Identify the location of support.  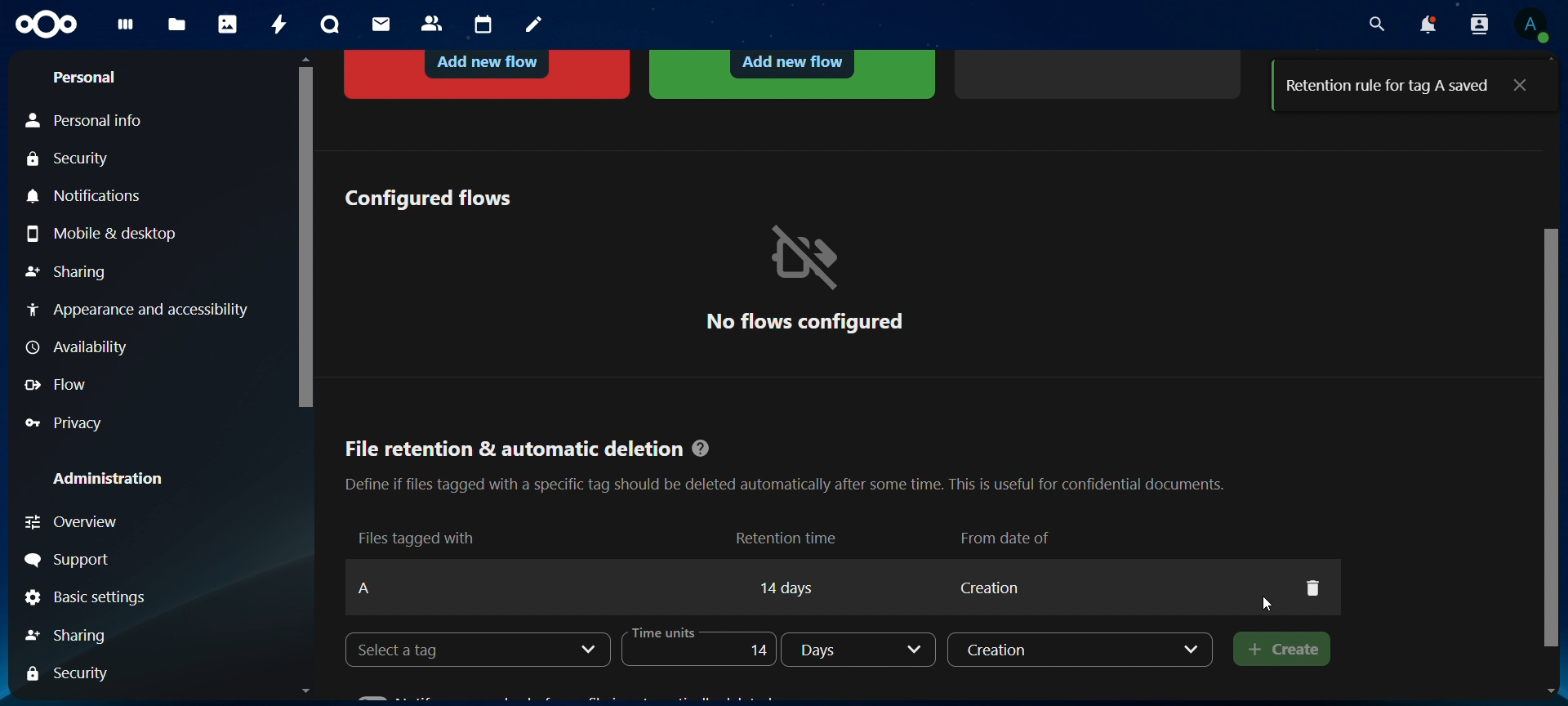
(72, 561).